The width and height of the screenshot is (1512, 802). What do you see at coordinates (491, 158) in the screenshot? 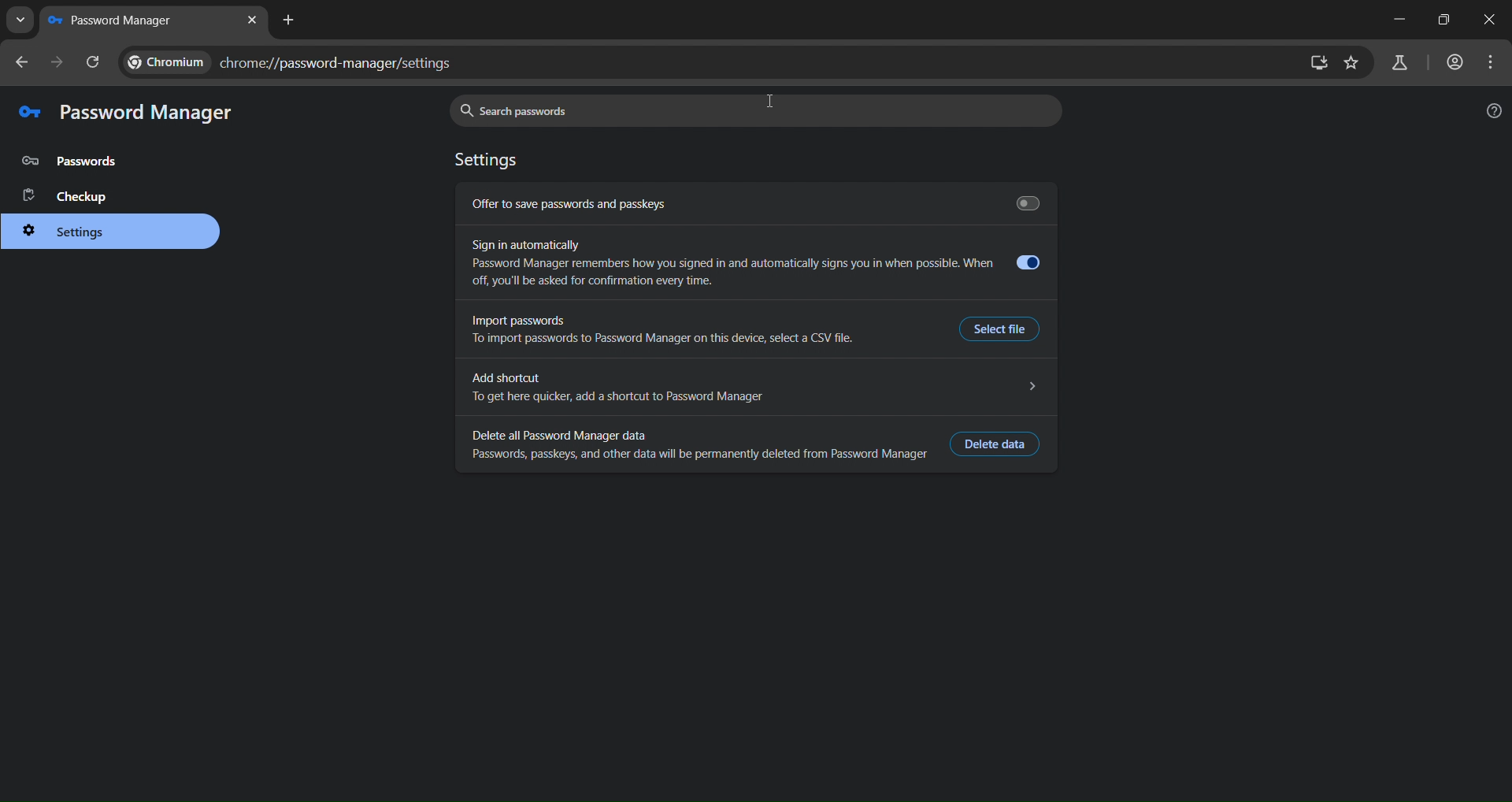
I see `settings` at bounding box center [491, 158].